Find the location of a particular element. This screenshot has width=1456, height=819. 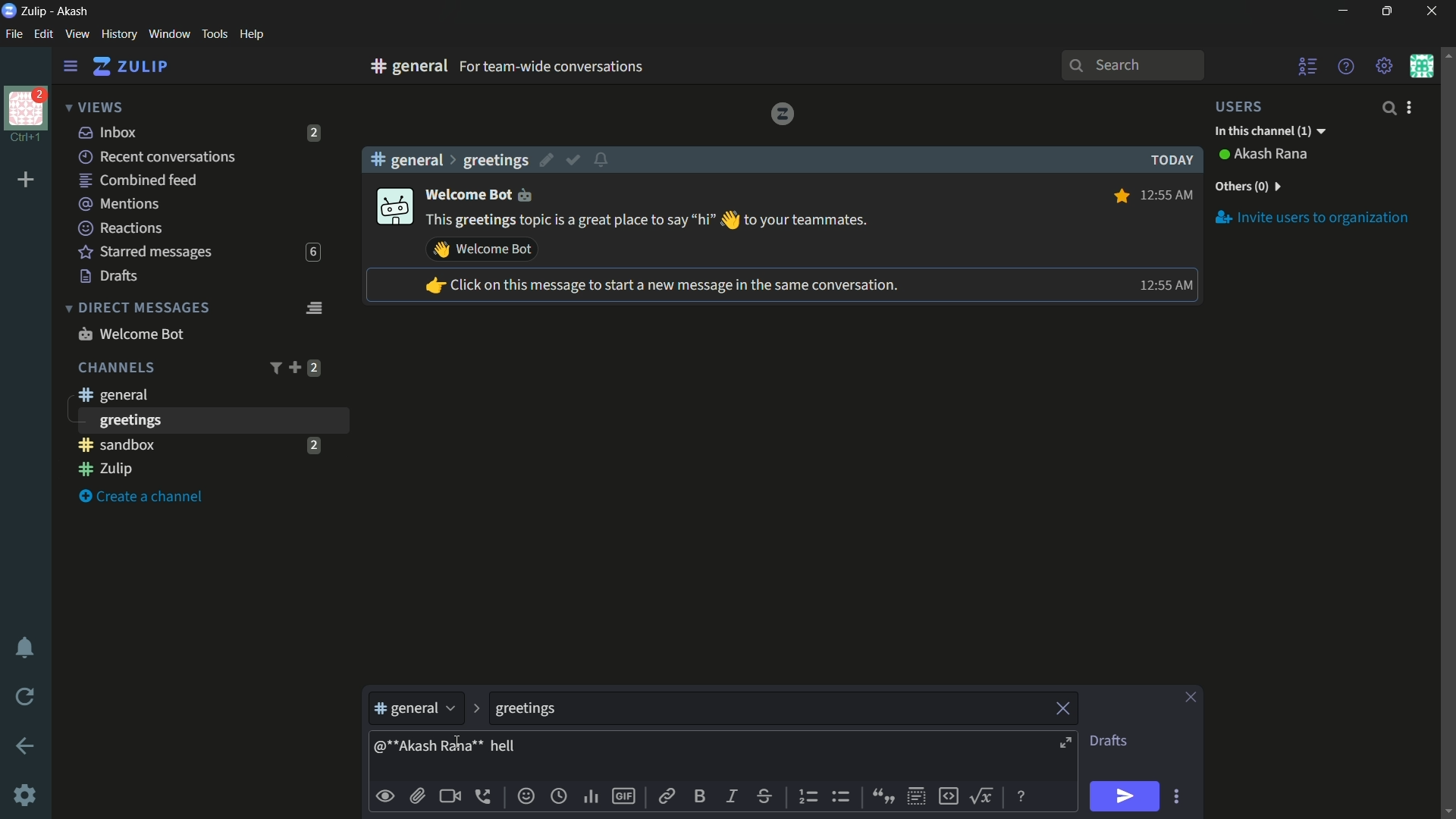

general channel is located at coordinates (111, 394).